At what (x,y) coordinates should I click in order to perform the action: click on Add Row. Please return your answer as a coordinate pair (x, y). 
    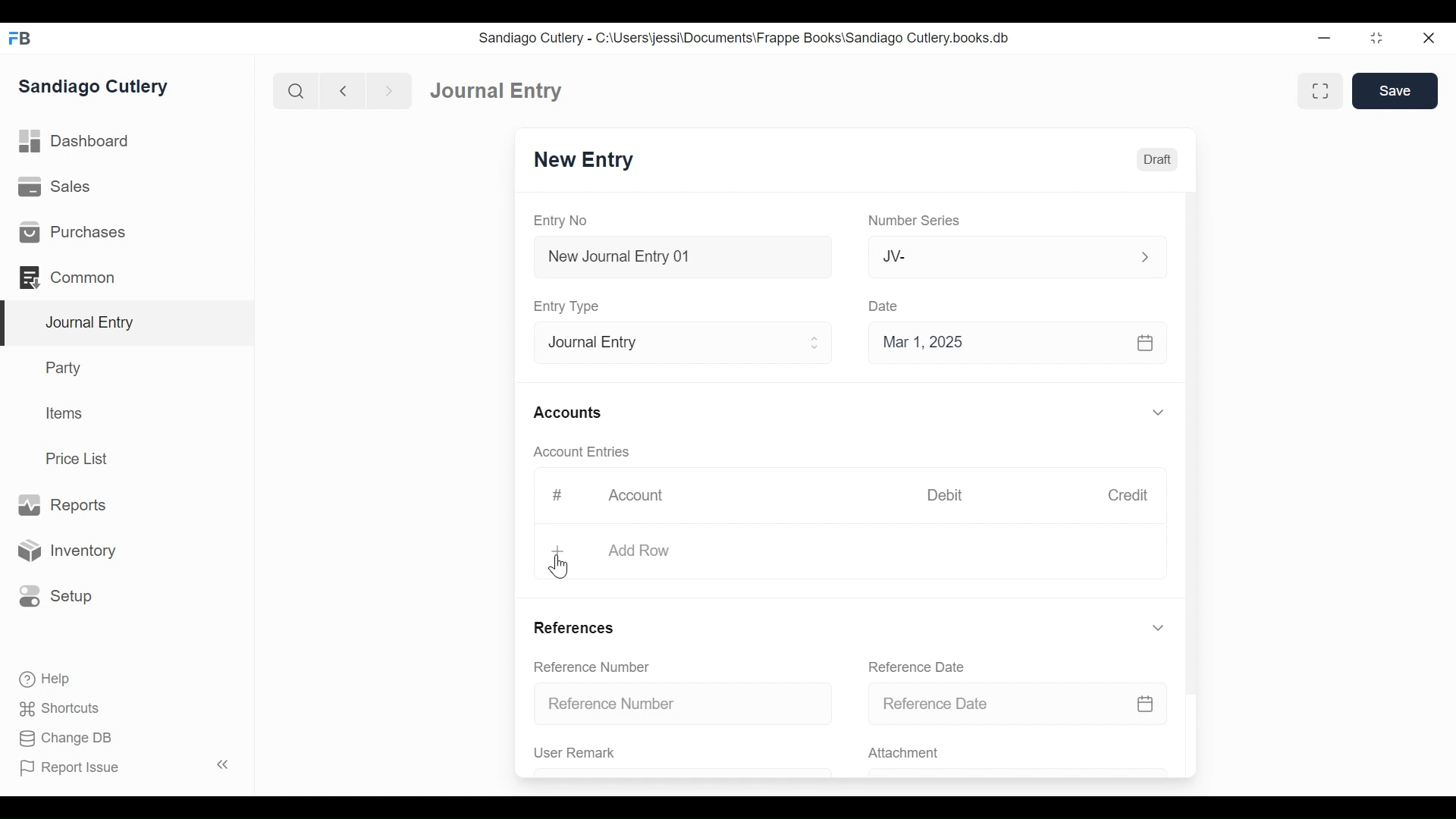
    Looking at the image, I should click on (853, 547).